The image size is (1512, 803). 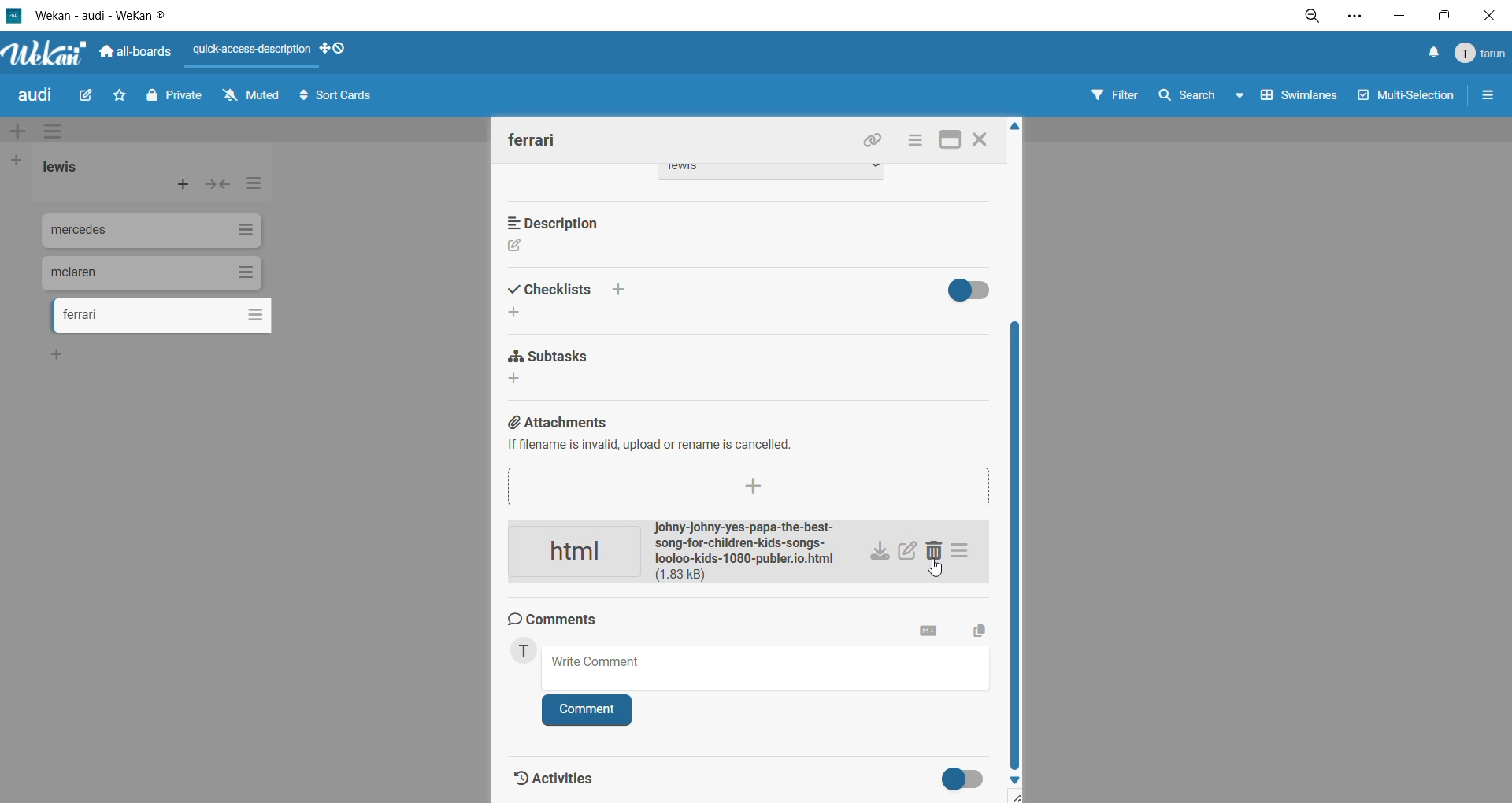 I want to click on add list, so click(x=21, y=160).